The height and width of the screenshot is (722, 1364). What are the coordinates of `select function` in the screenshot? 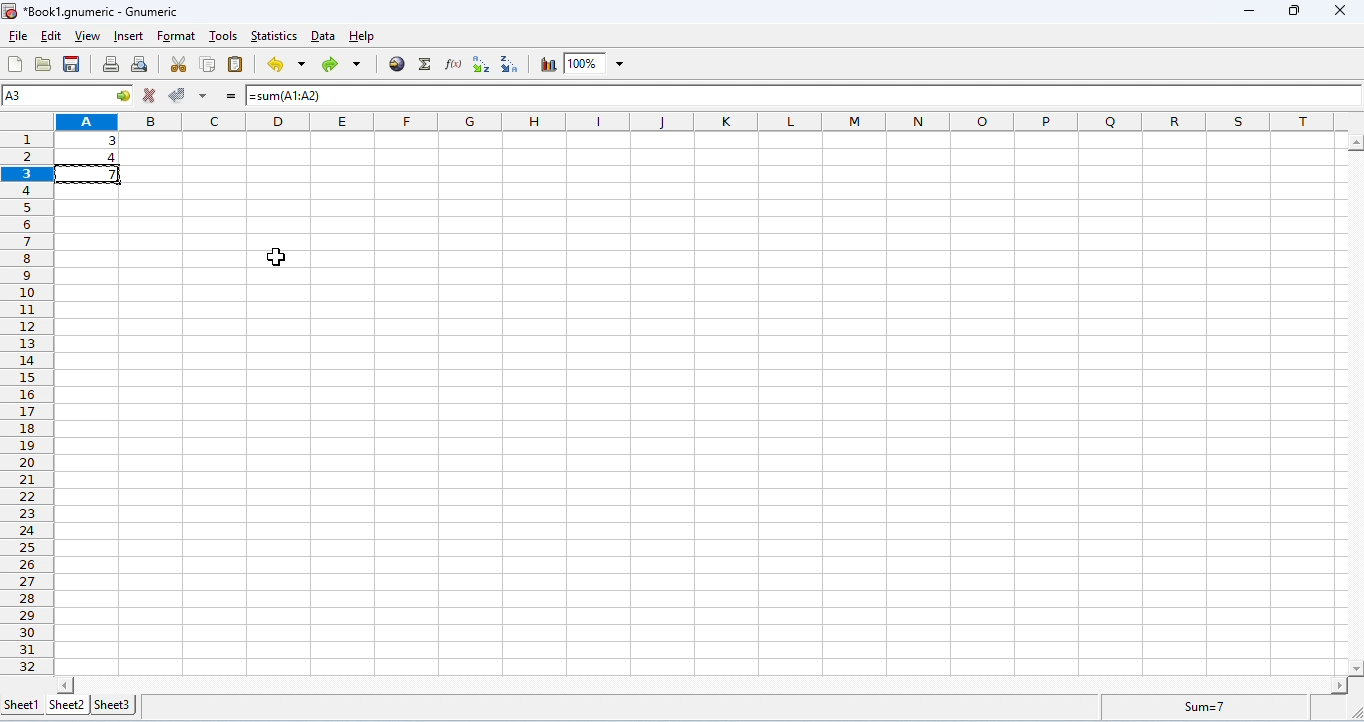 It's located at (425, 65).